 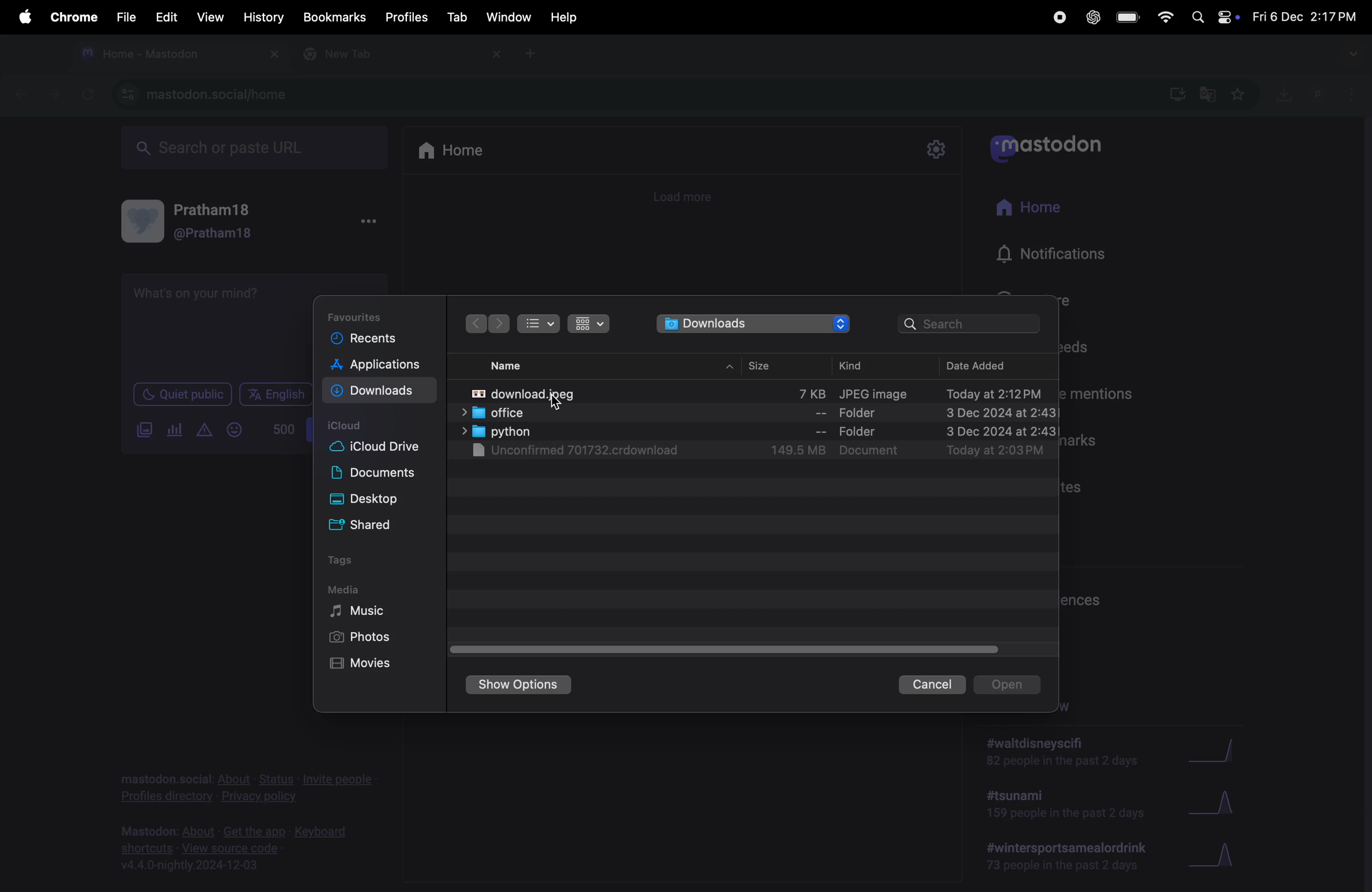 I want to click on download, so click(x=378, y=392).